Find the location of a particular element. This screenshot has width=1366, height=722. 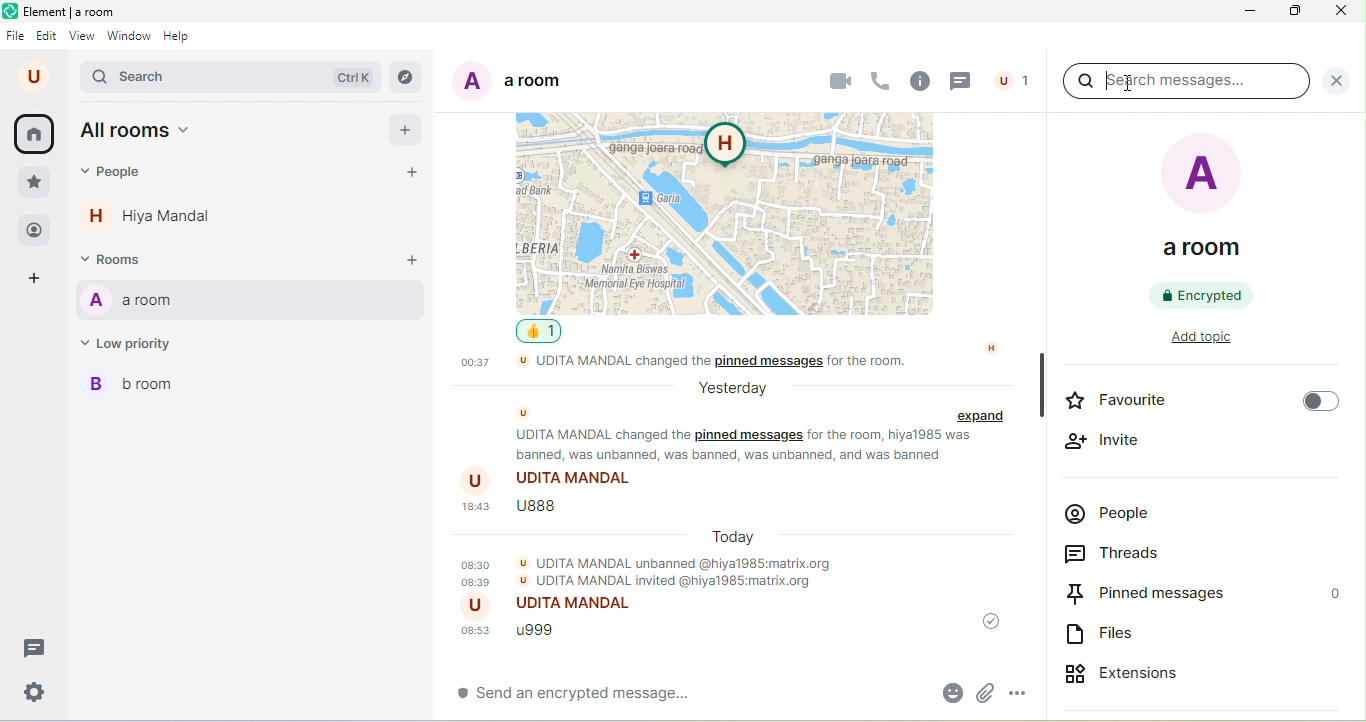

add room is located at coordinates (411, 261).